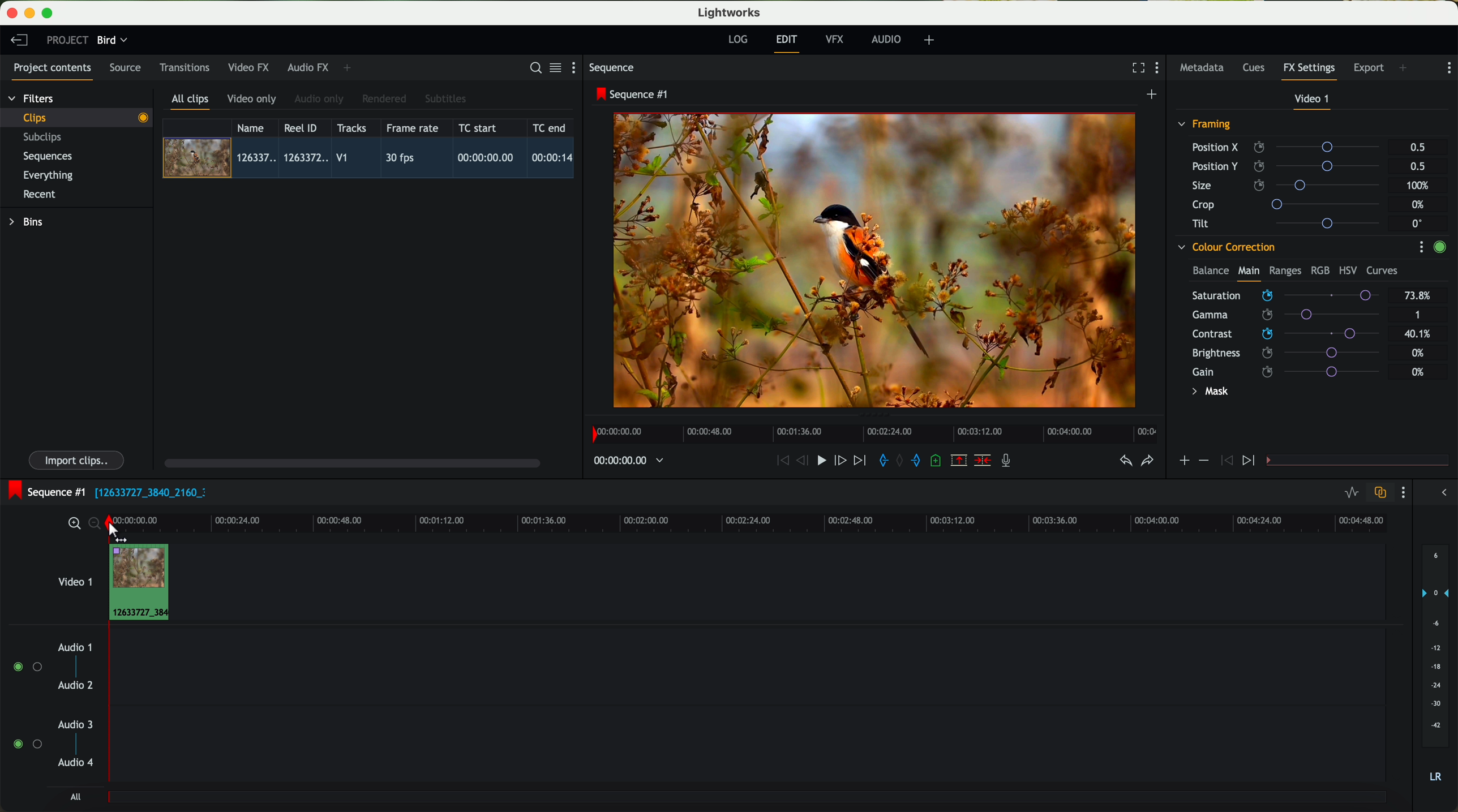  I want to click on applied effect, so click(877, 260).